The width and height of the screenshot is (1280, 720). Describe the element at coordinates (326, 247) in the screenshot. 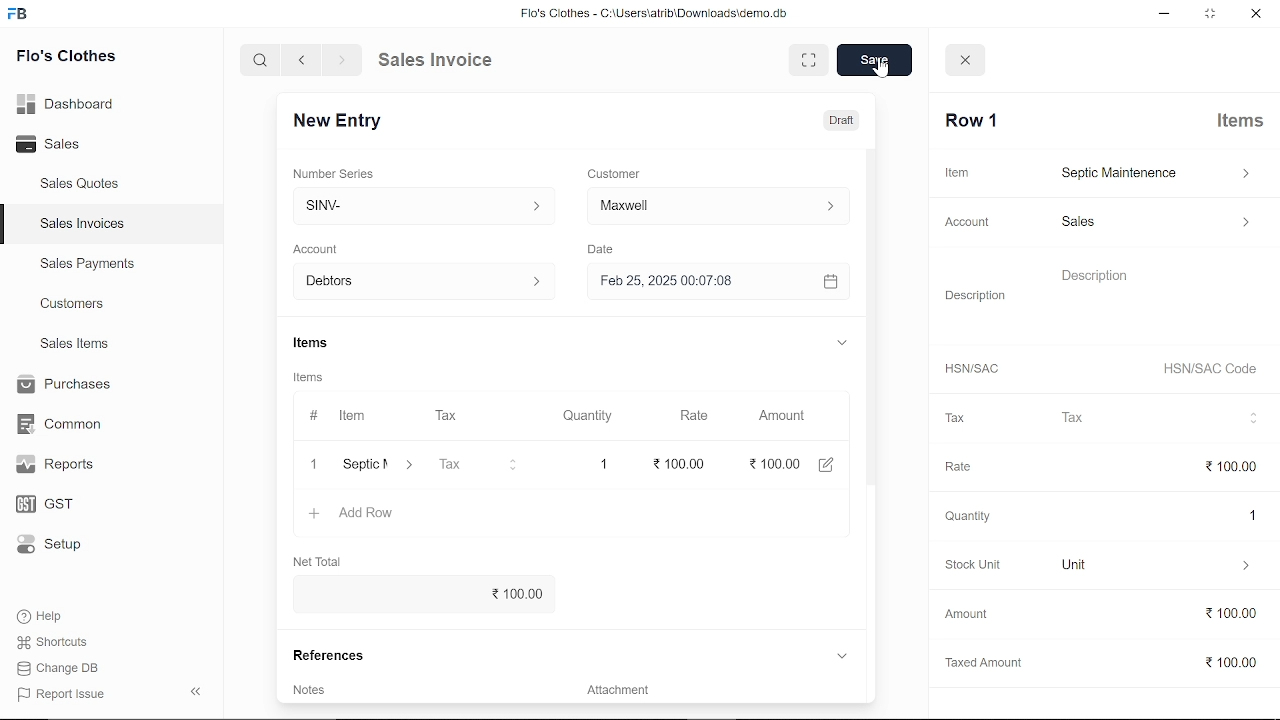

I see `‘Account` at that location.